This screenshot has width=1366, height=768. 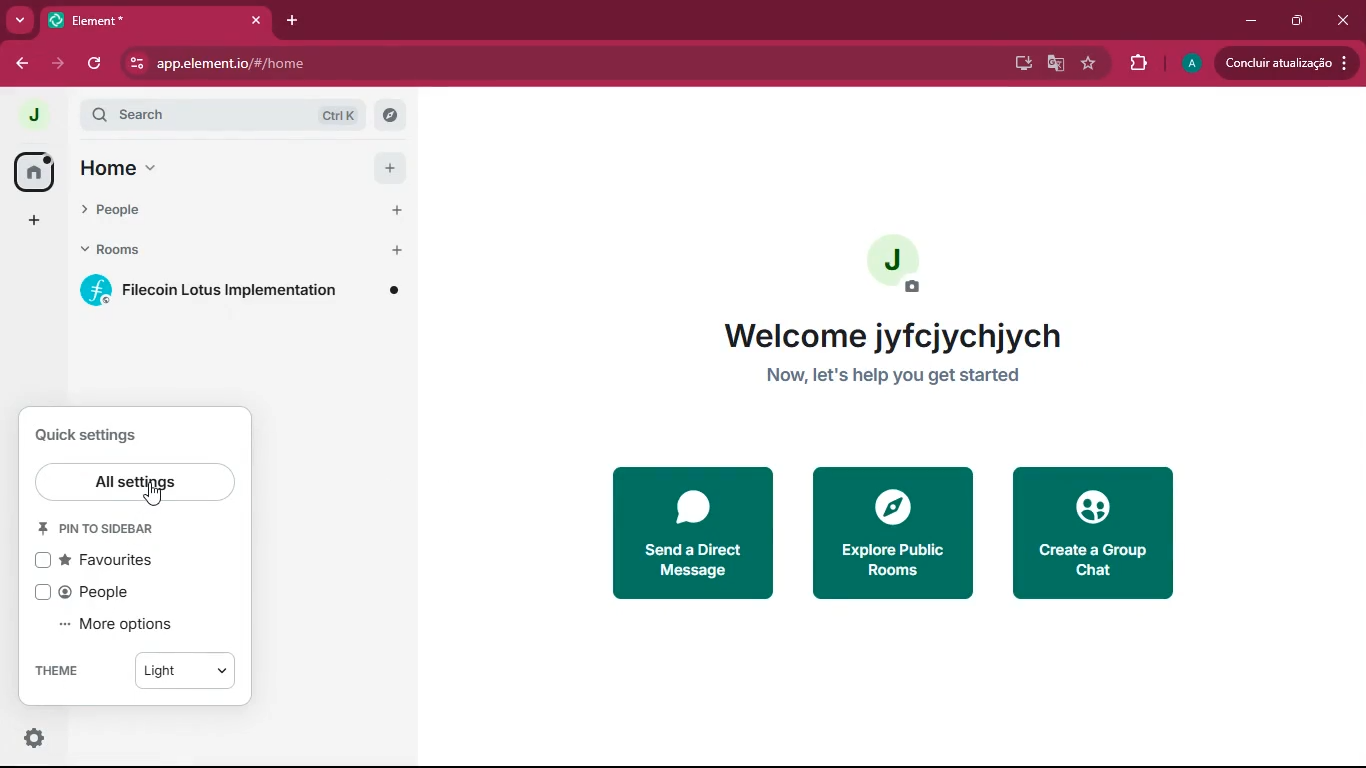 I want to click on google translate, so click(x=1054, y=66).